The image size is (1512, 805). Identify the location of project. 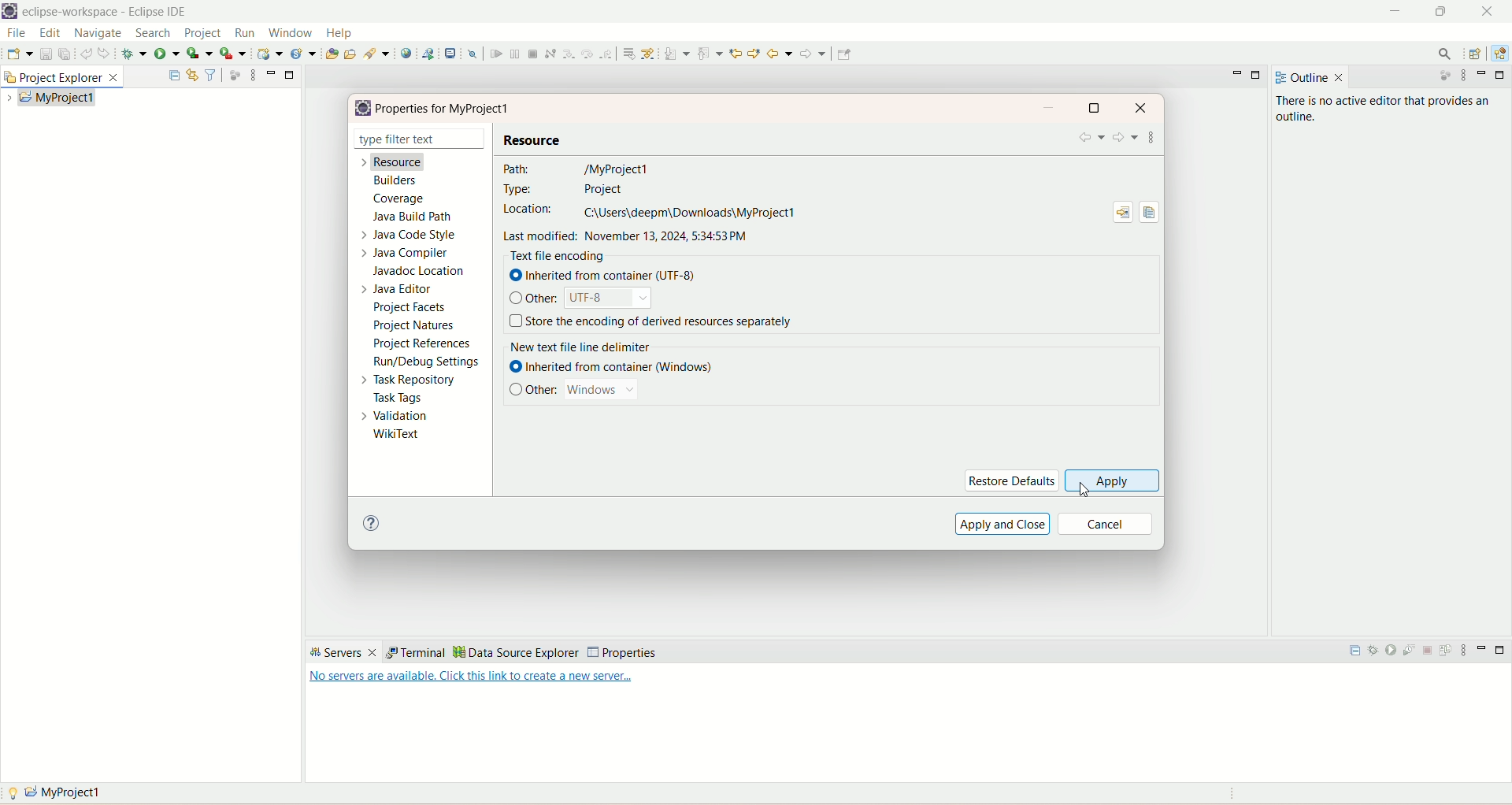
(204, 33).